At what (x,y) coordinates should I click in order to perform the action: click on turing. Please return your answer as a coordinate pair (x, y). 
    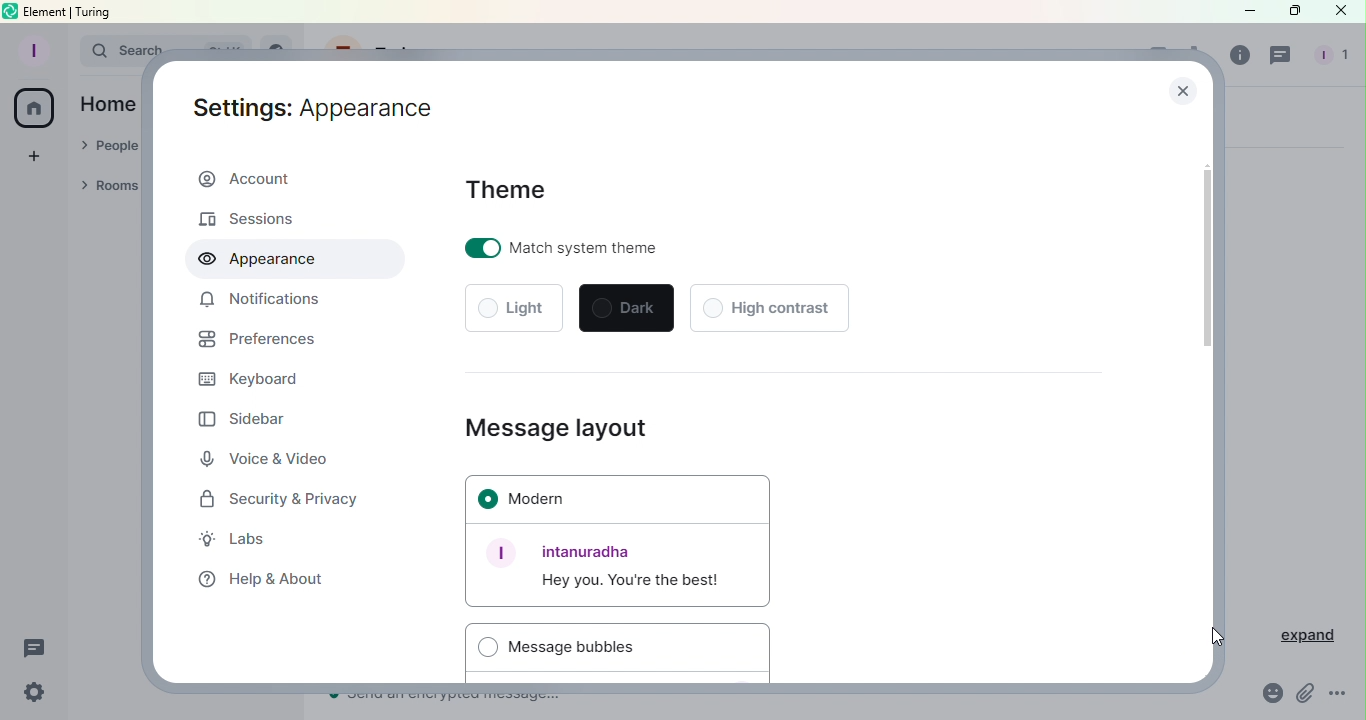
    Looking at the image, I should click on (94, 11).